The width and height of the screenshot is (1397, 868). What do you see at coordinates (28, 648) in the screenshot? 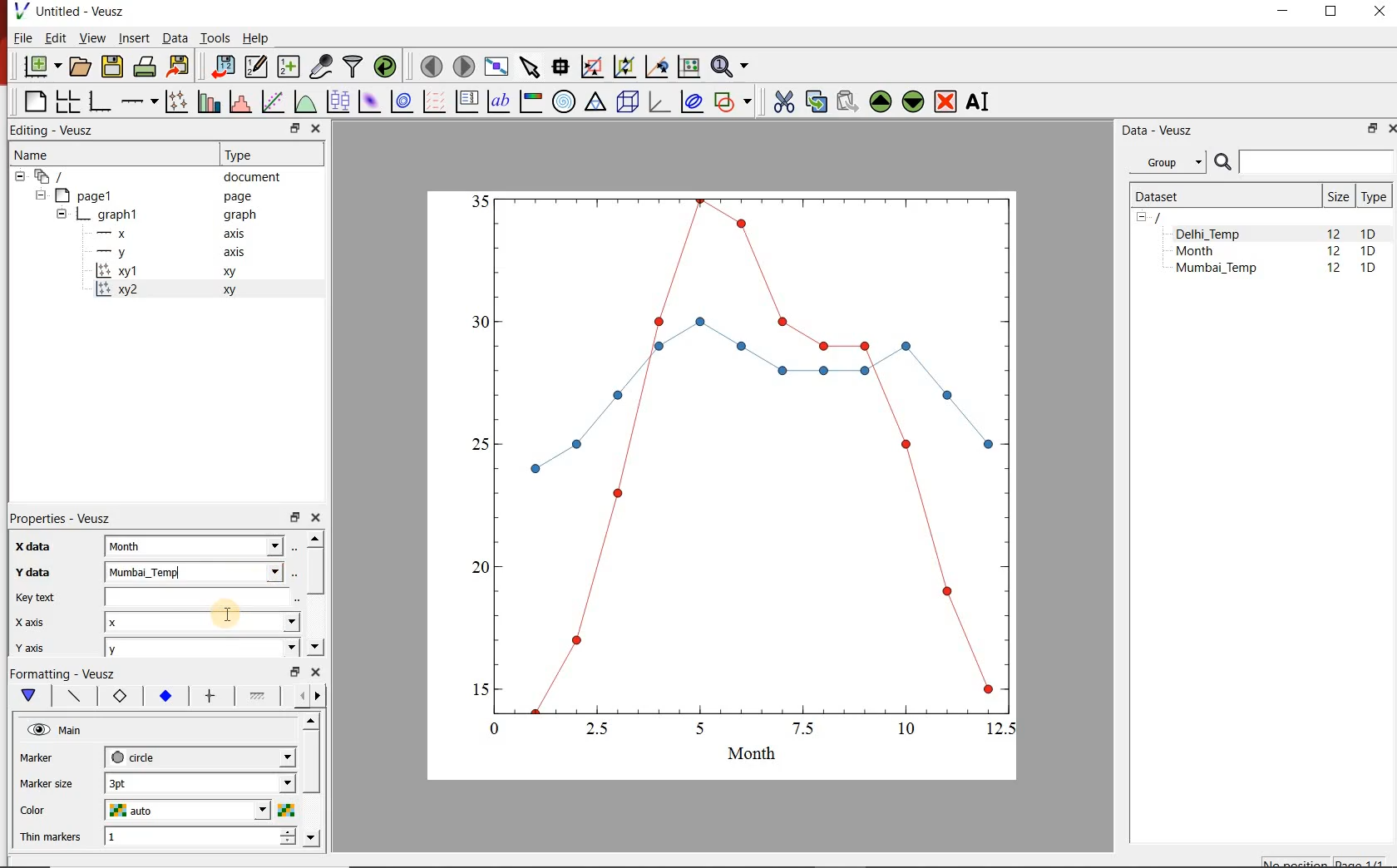
I see `y axis` at bounding box center [28, 648].